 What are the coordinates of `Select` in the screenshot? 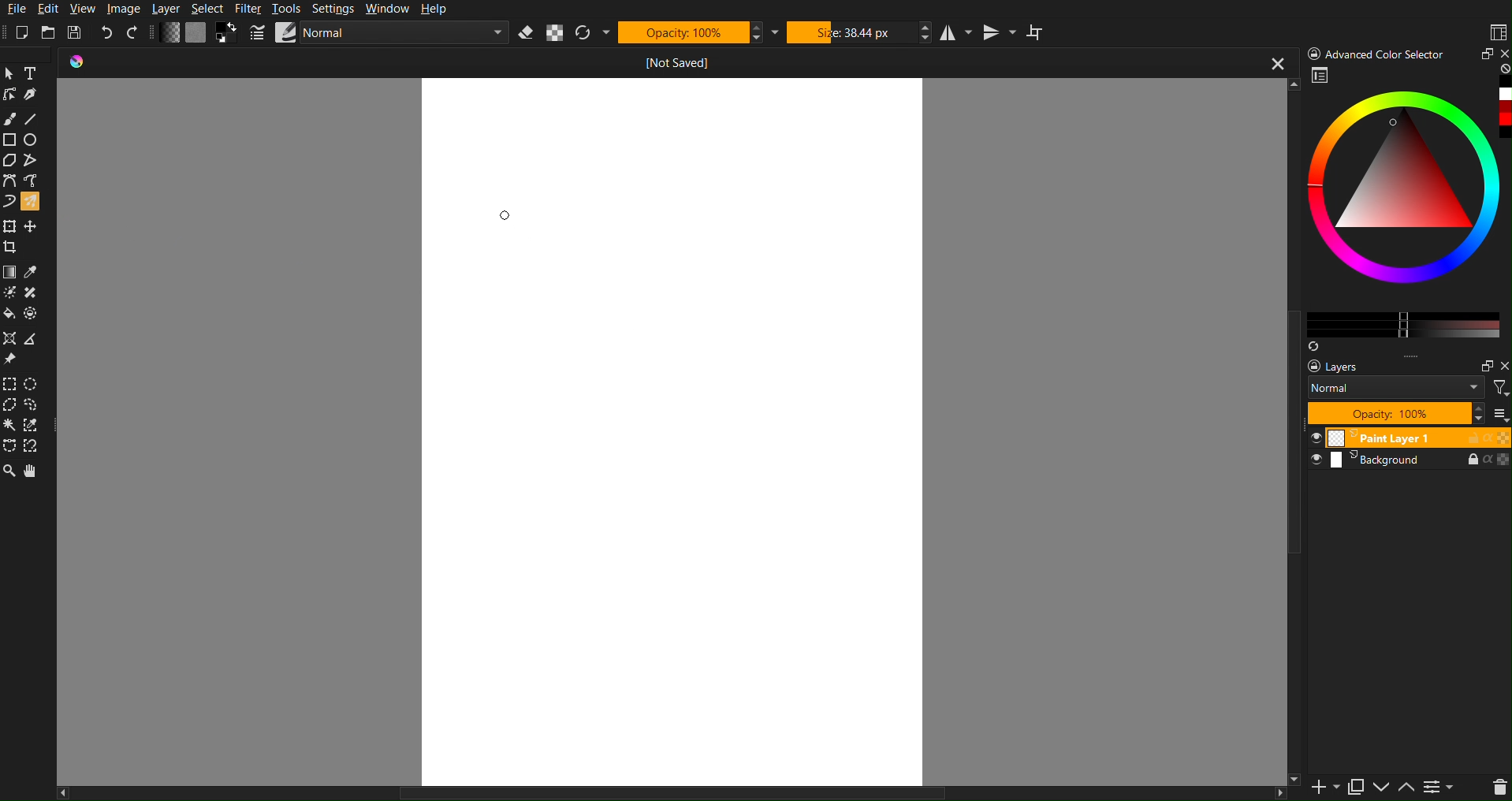 It's located at (212, 9).